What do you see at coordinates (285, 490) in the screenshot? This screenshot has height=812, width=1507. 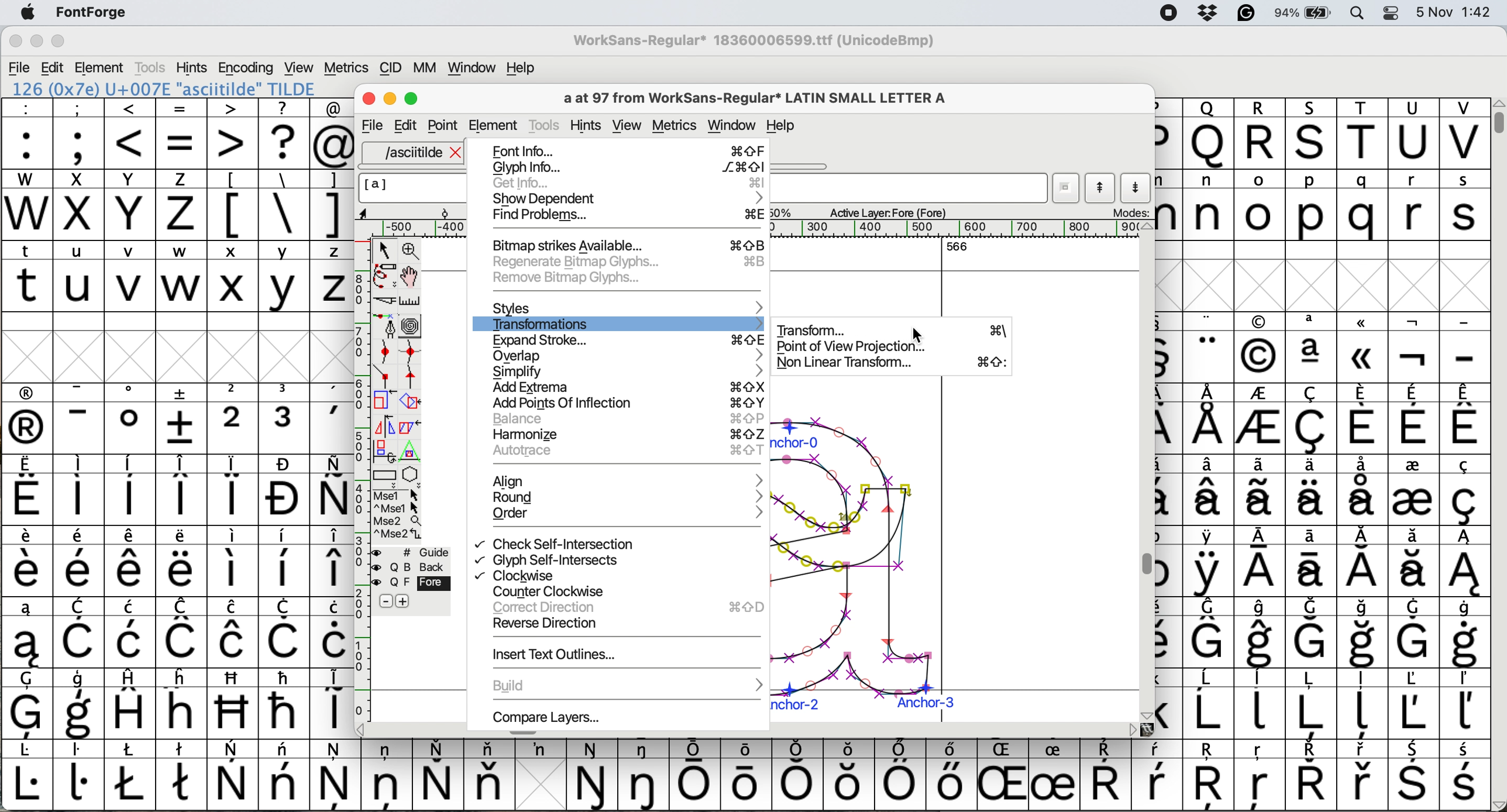 I see `symbol` at bounding box center [285, 490].